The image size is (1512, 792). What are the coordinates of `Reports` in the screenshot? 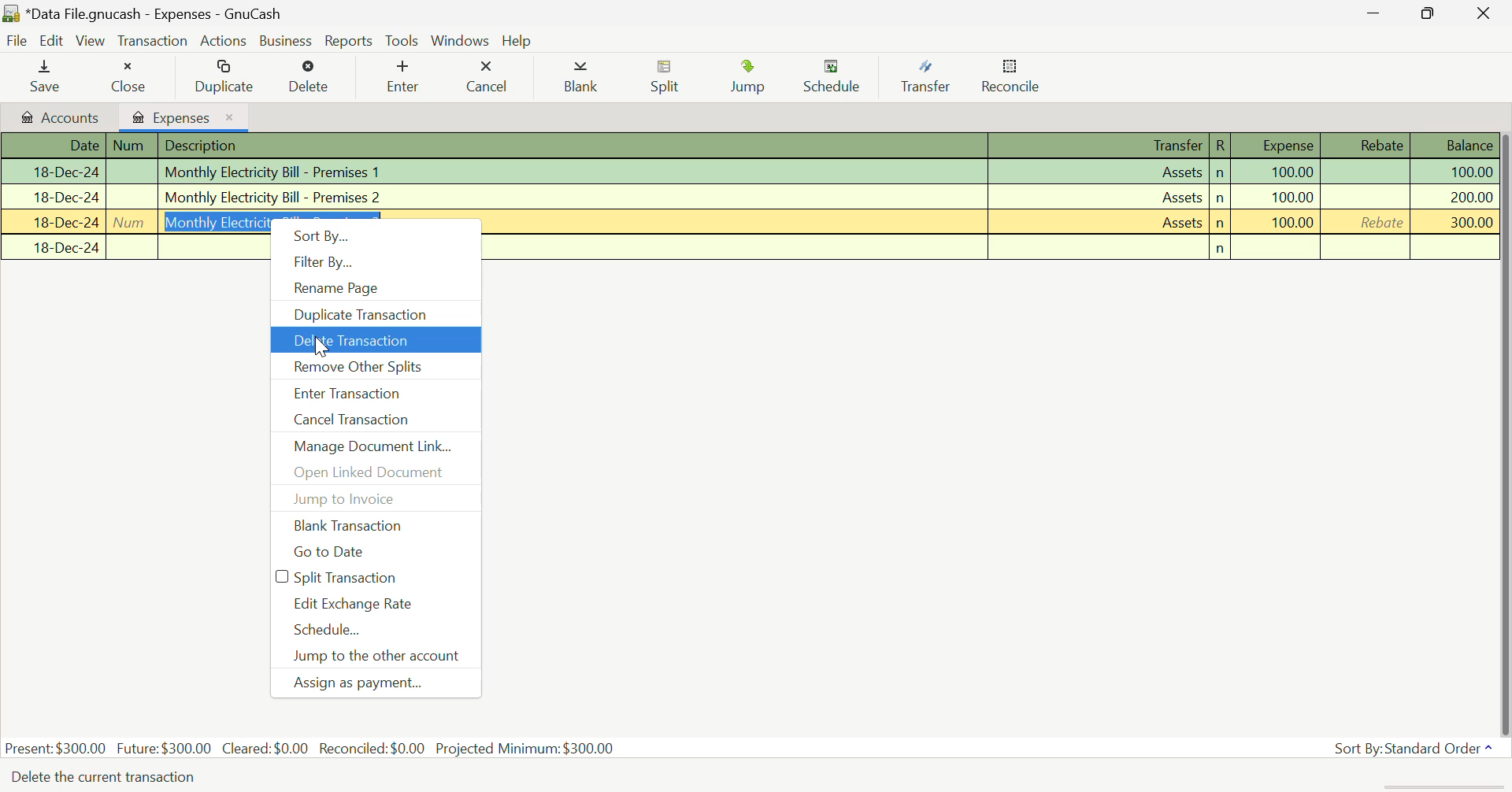 It's located at (349, 41).